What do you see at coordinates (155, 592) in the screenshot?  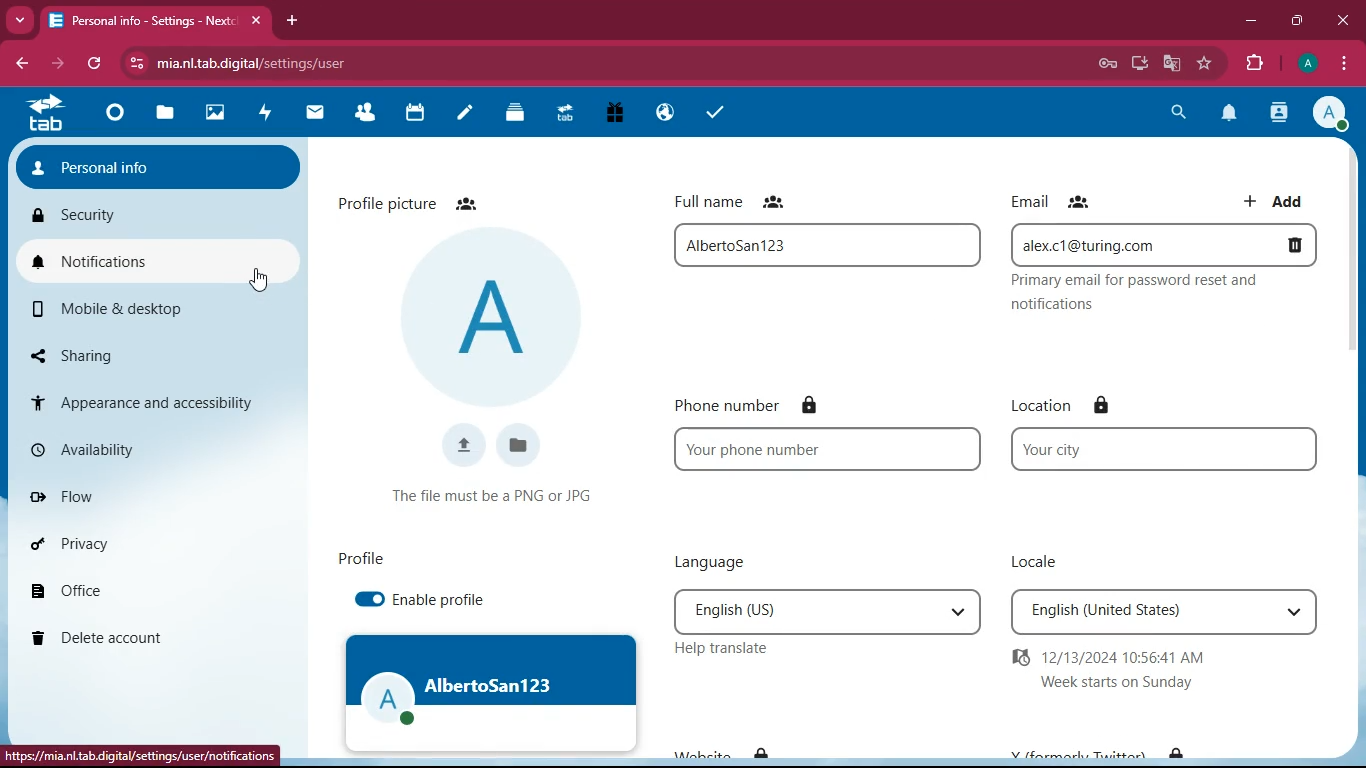 I see `office` at bounding box center [155, 592].